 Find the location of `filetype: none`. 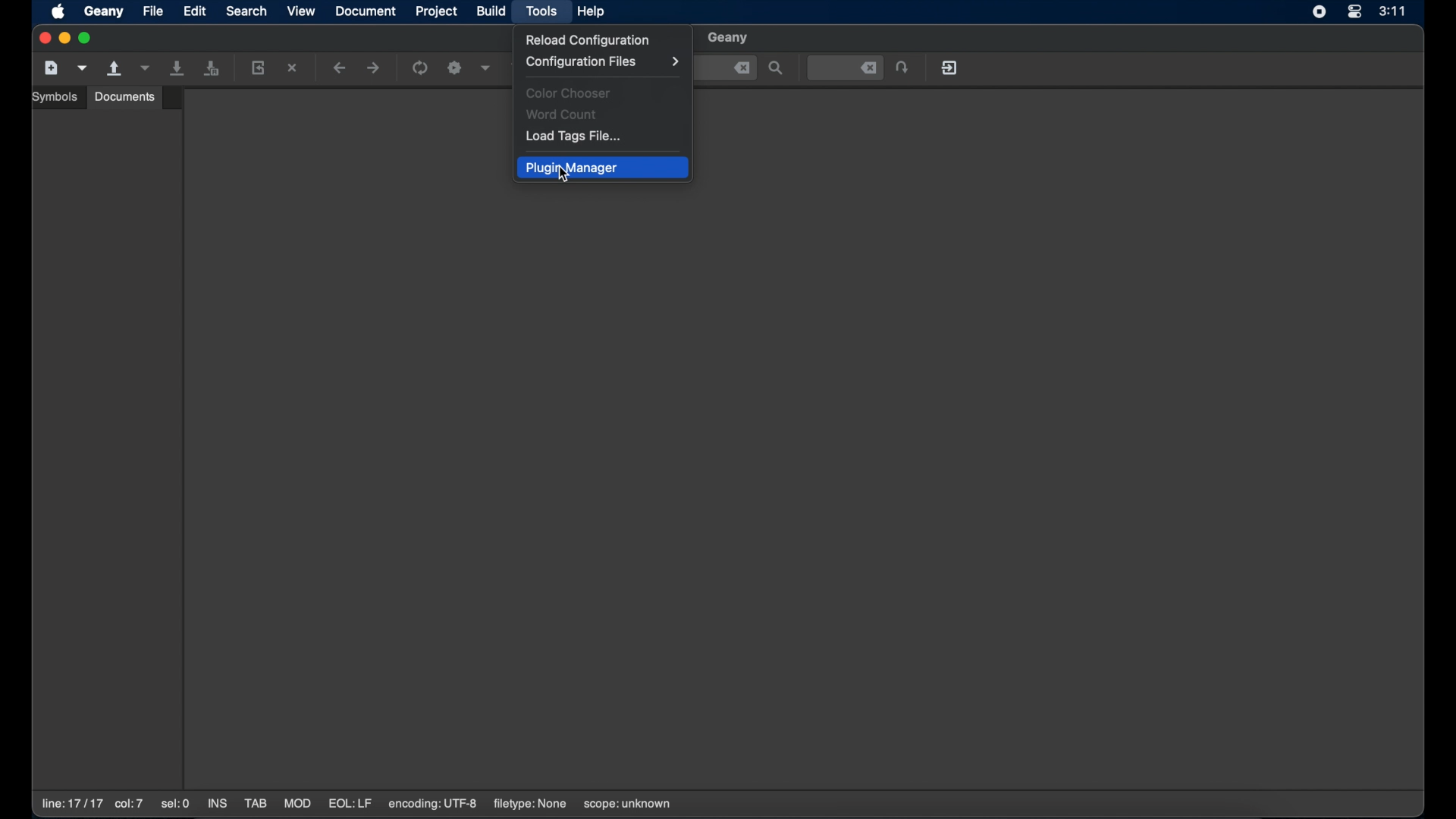

filetype: none is located at coordinates (529, 804).